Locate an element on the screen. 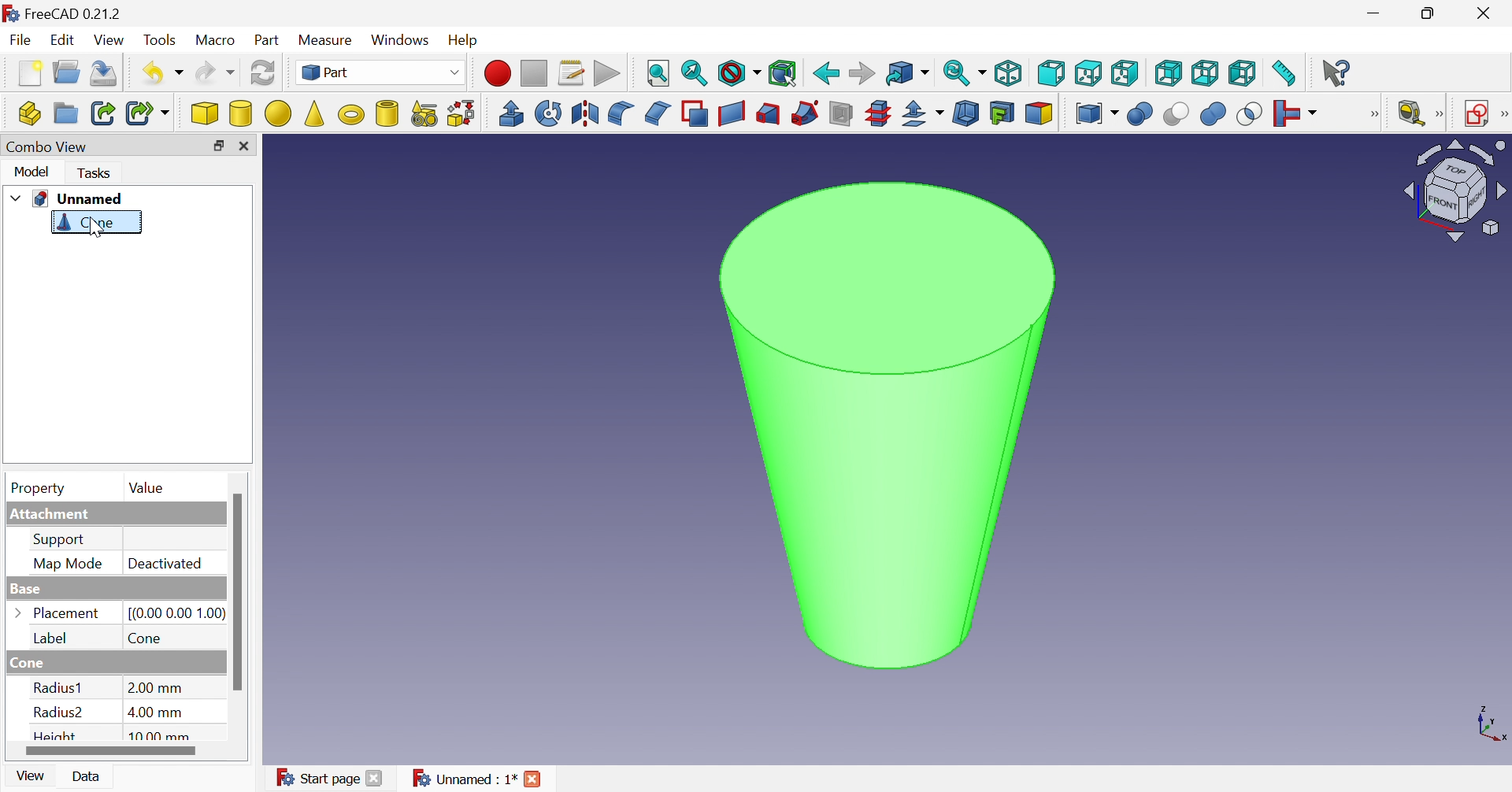 This screenshot has height=792, width=1512. Unnamed : 1* is located at coordinates (465, 779).